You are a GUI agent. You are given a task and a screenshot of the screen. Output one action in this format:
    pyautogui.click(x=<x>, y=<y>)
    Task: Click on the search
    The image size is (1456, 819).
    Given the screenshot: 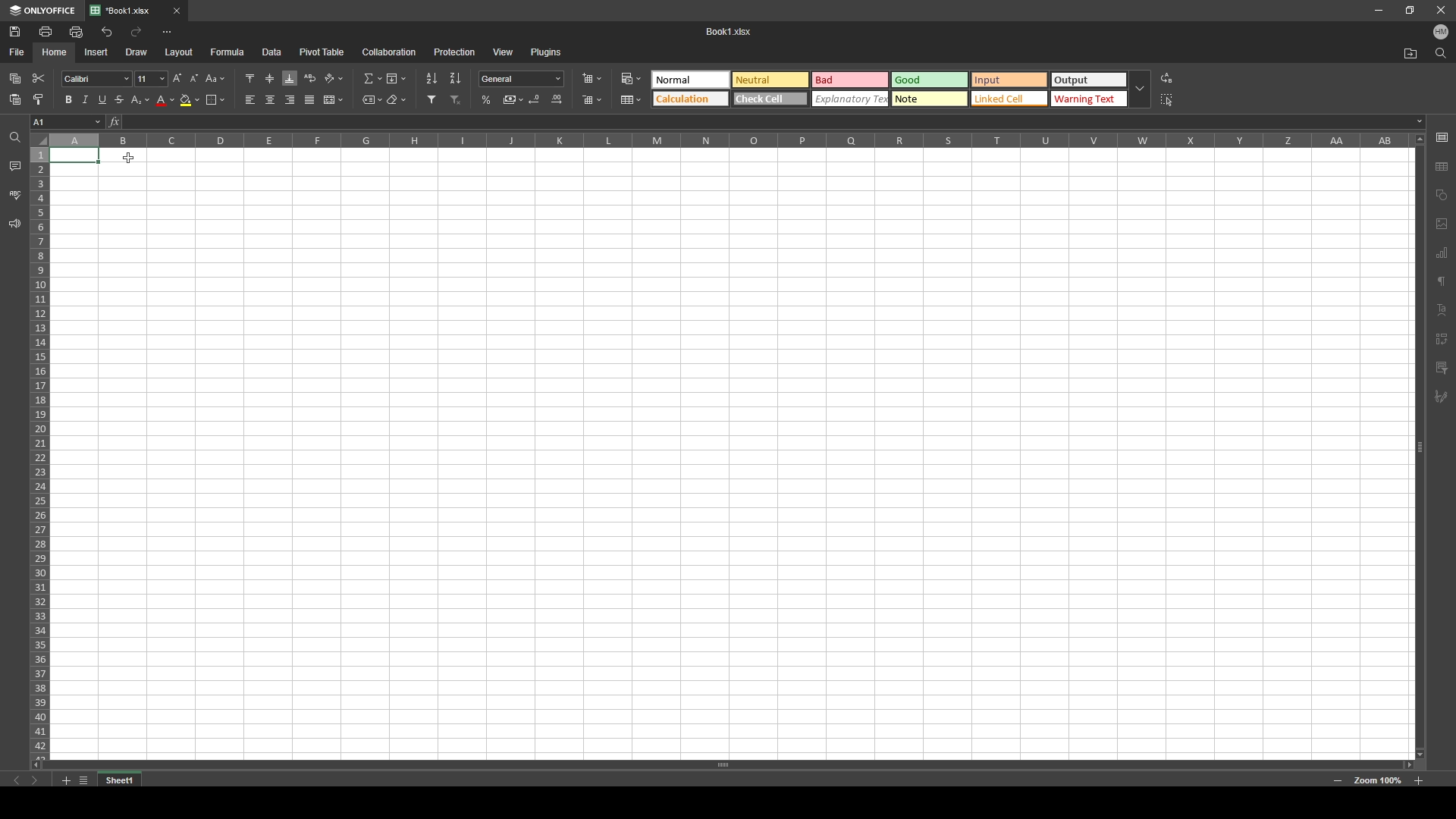 What is the action you would take?
    pyautogui.click(x=13, y=139)
    